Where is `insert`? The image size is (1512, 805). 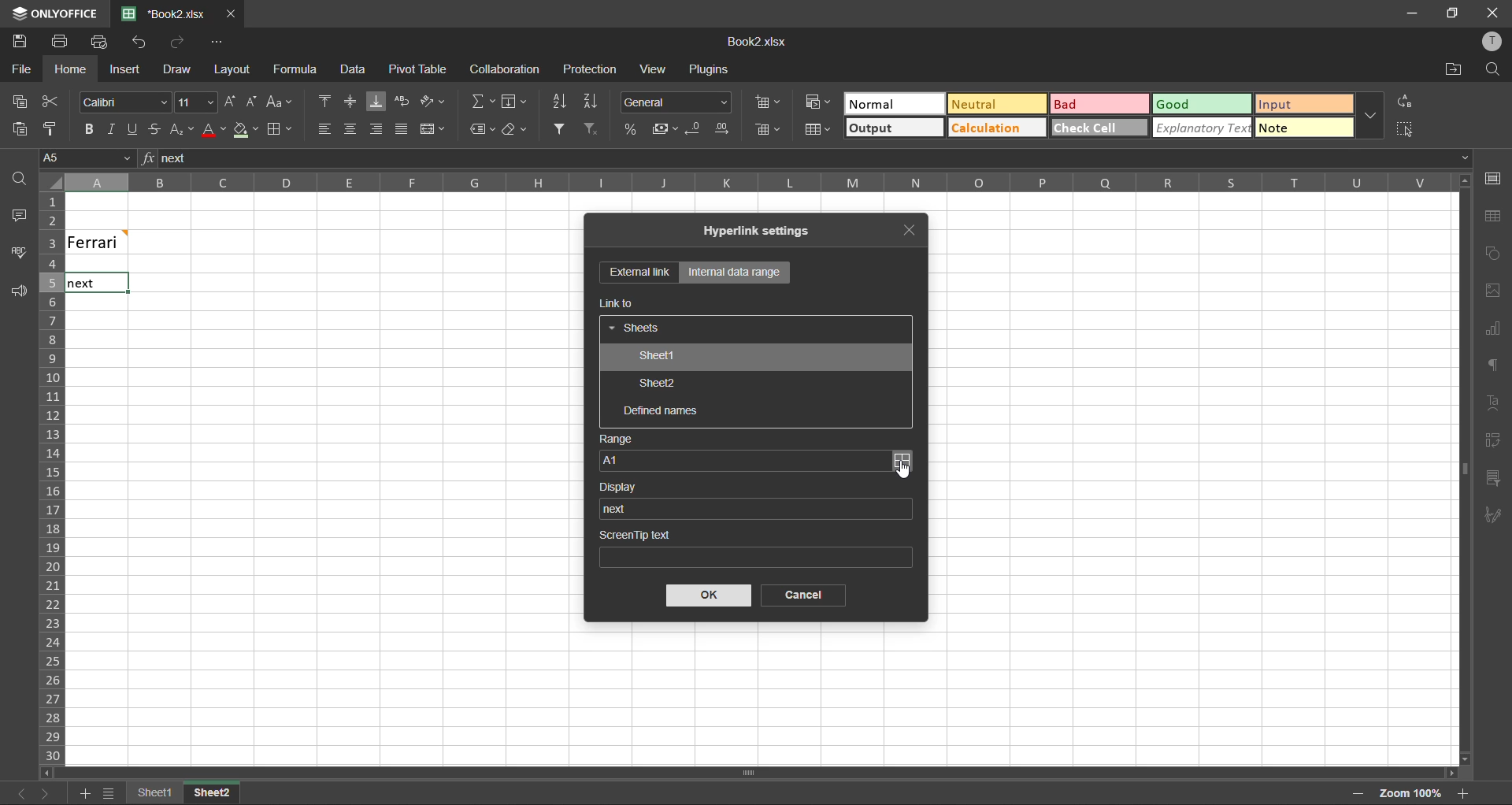 insert is located at coordinates (122, 69).